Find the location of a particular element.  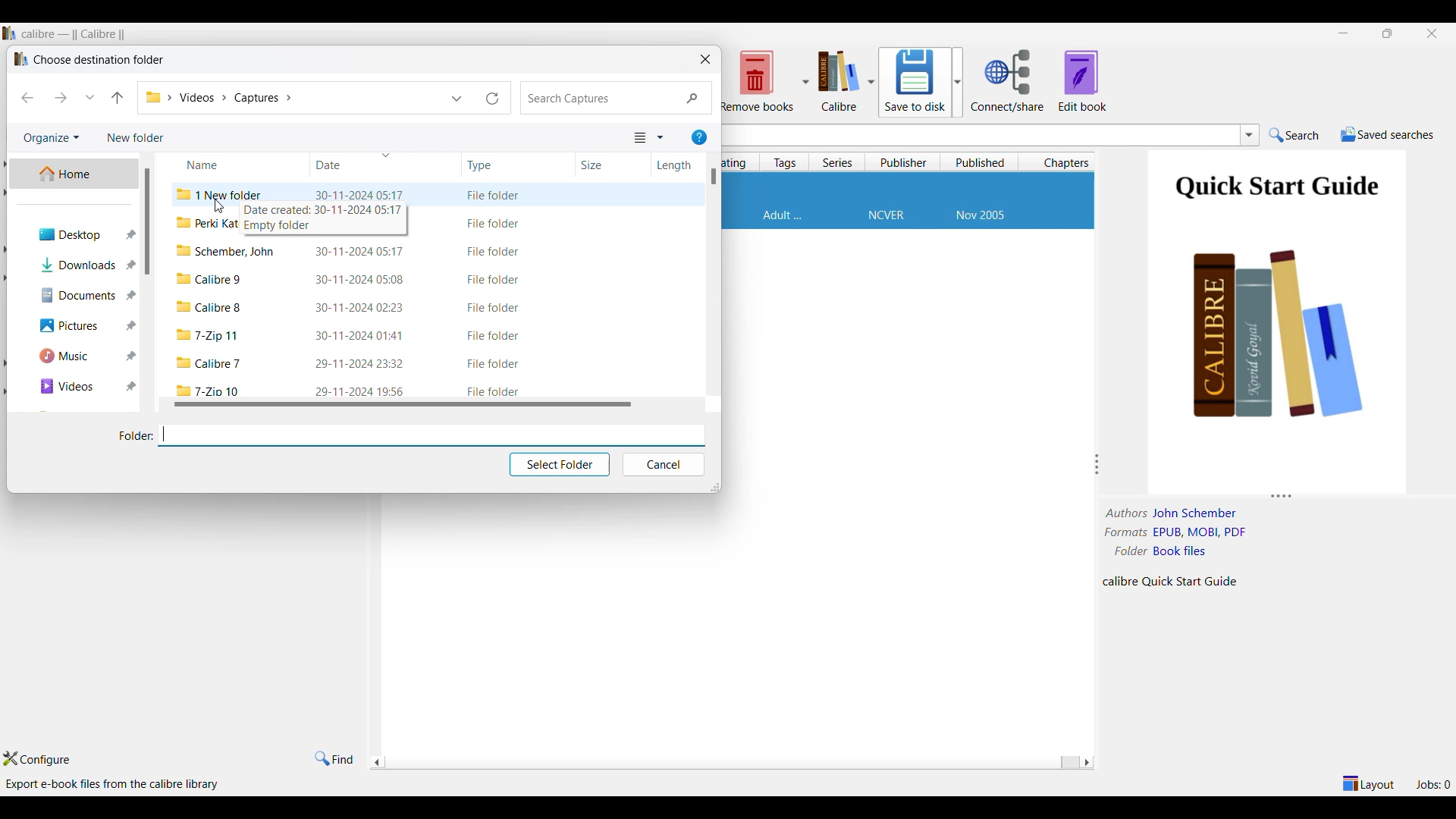

Go forward is located at coordinates (61, 98).